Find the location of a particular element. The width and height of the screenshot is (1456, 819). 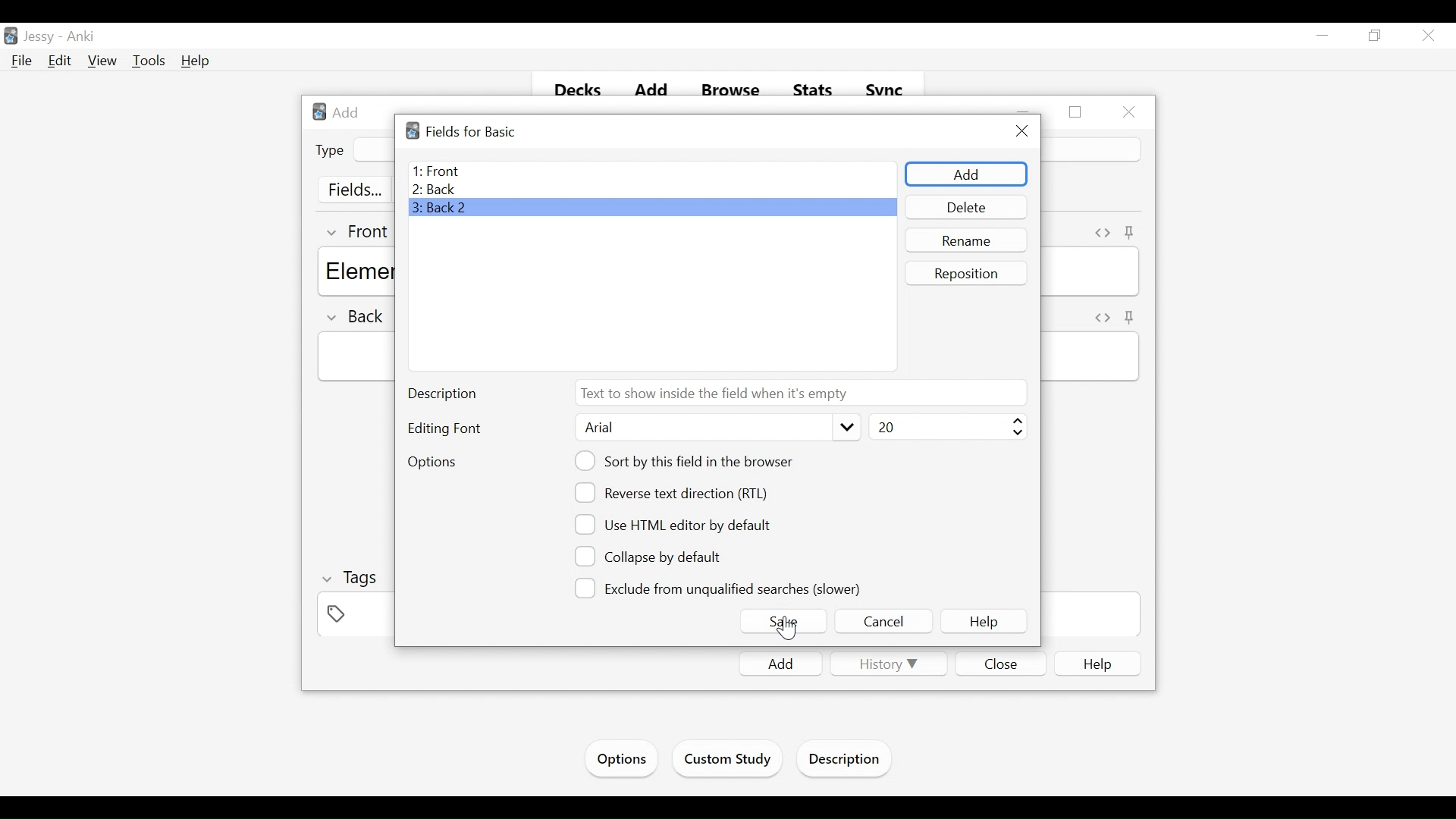

Decks is located at coordinates (579, 91).